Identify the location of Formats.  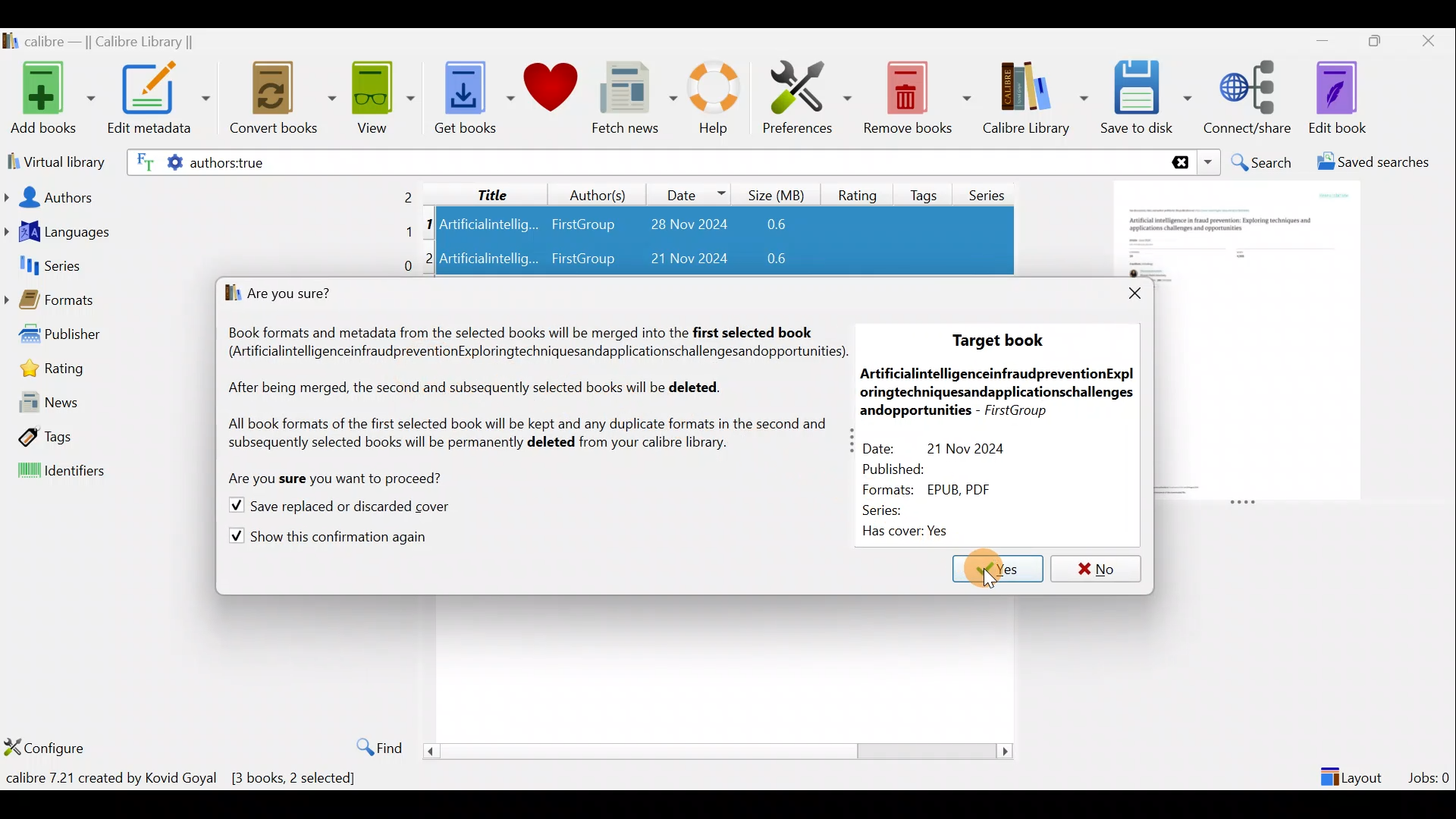
(106, 303).